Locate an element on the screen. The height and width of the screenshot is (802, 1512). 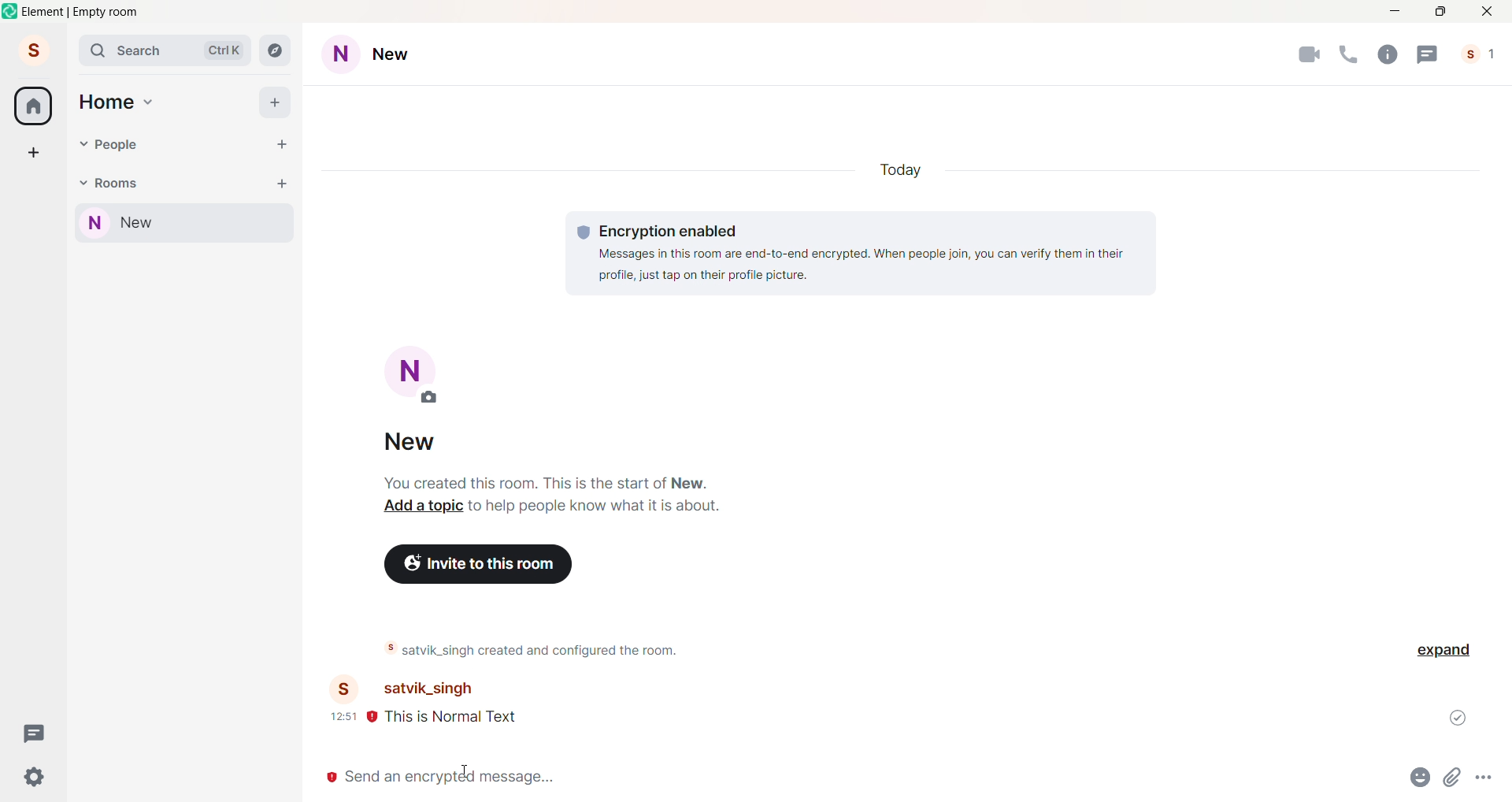
Account is located at coordinates (32, 49).